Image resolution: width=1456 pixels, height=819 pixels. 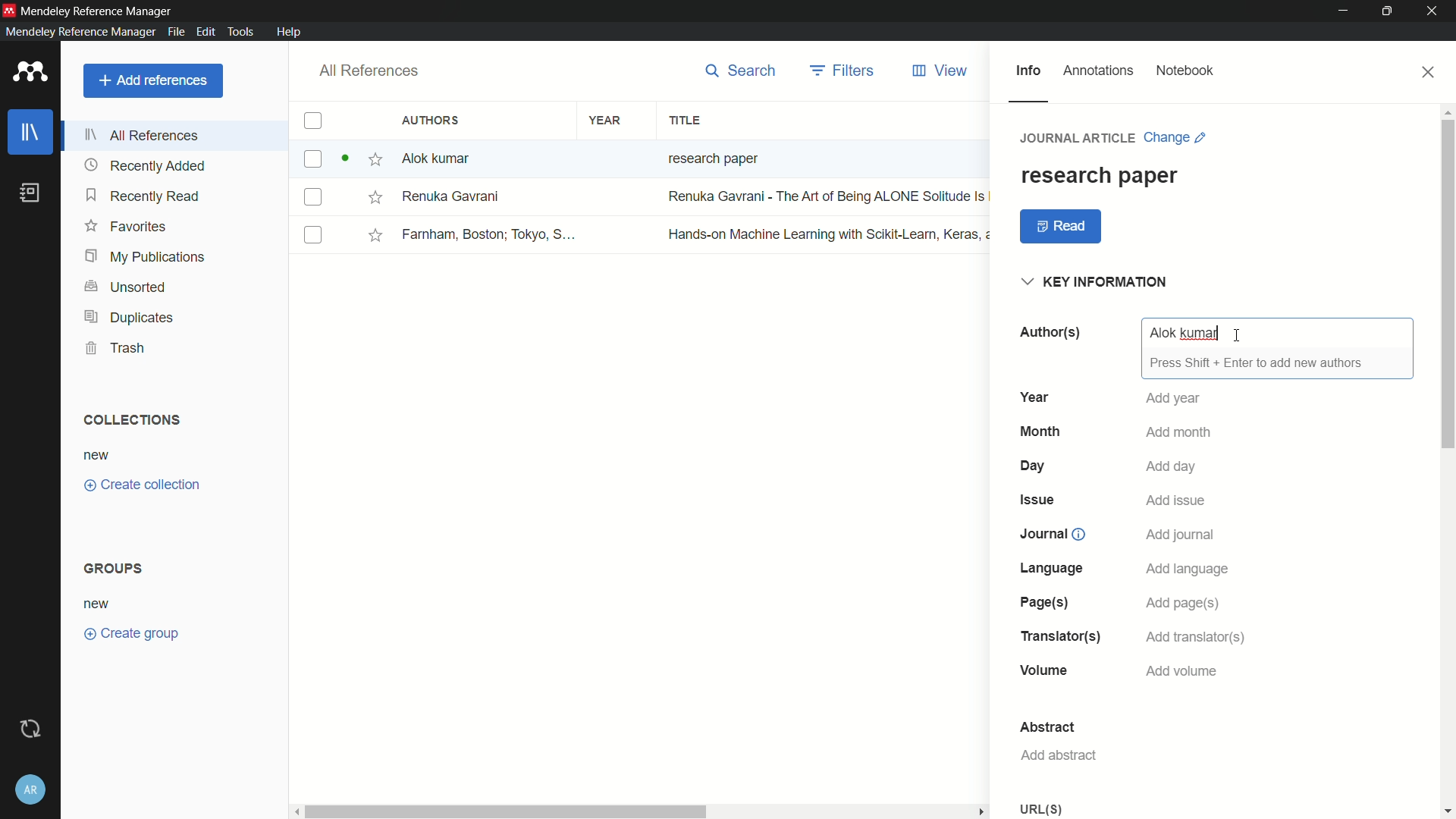 I want to click on alok kumar, so click(x=1185, y=333).